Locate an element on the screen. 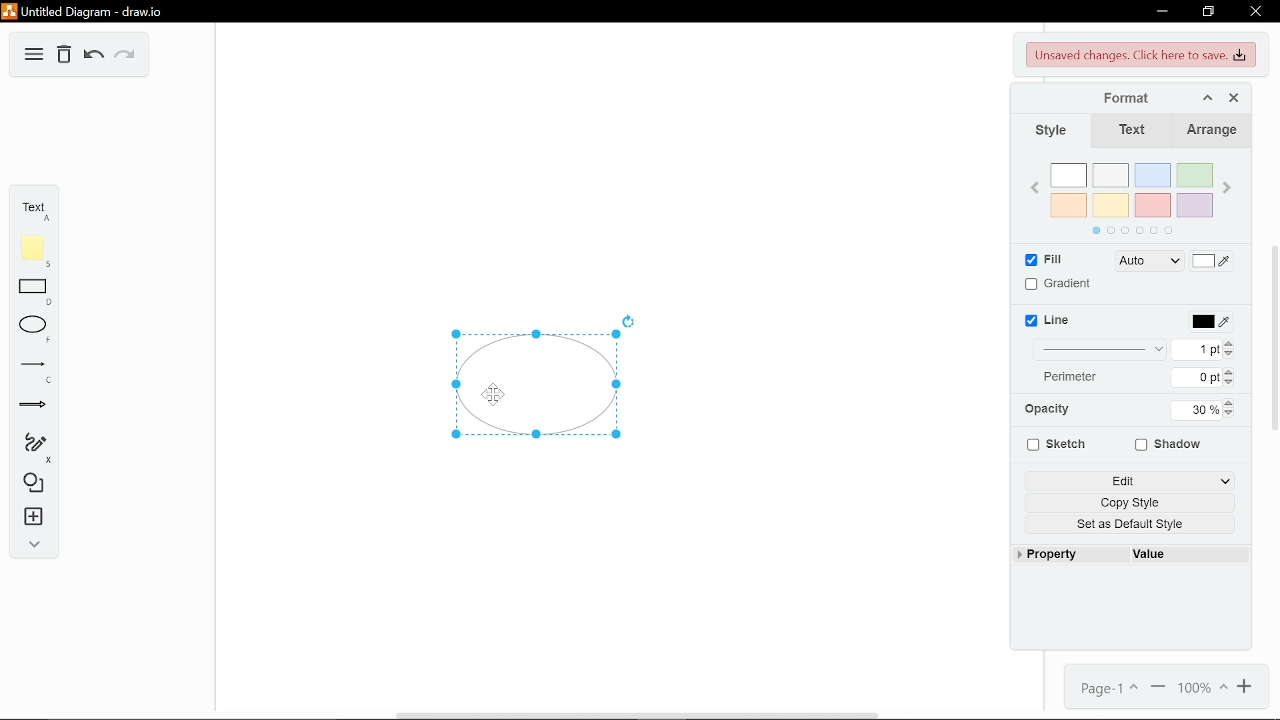  Decrease opacity is located at coordinates (1231, 415).